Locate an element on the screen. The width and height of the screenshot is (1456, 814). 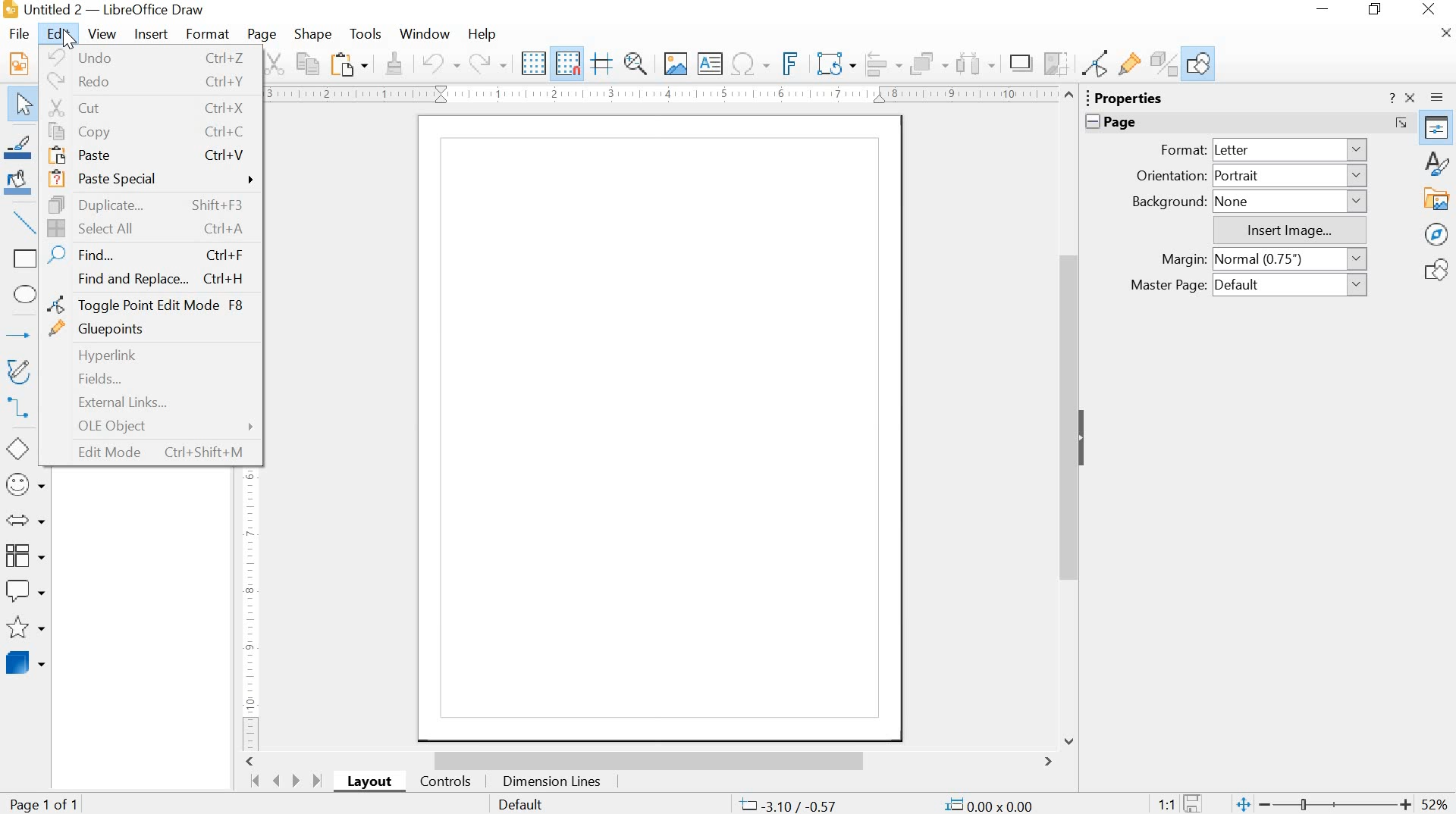
layout is located at coordinates (372, 783).